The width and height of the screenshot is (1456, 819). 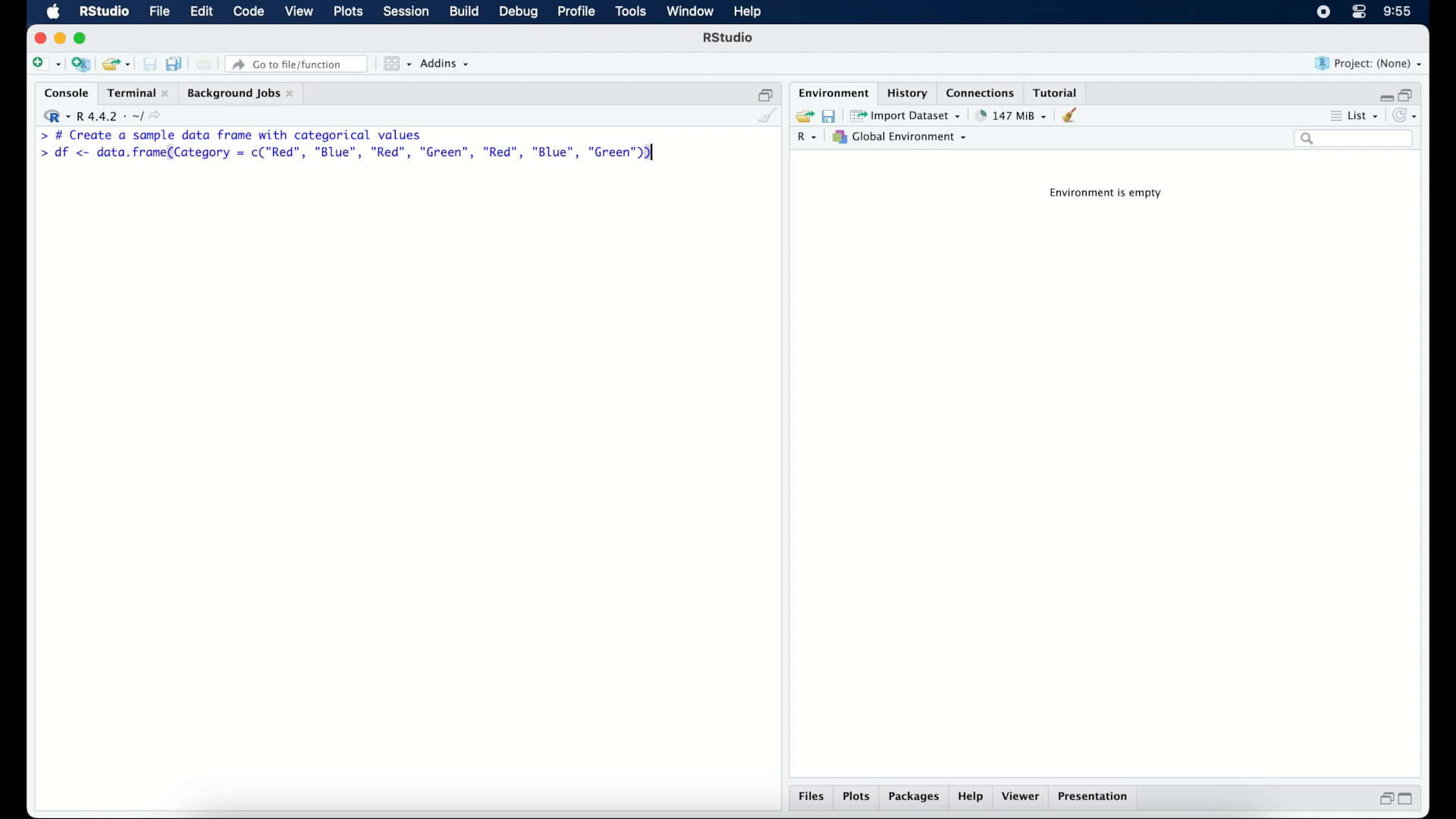 I want to click on workspace panes, so click(x=397, y=64).